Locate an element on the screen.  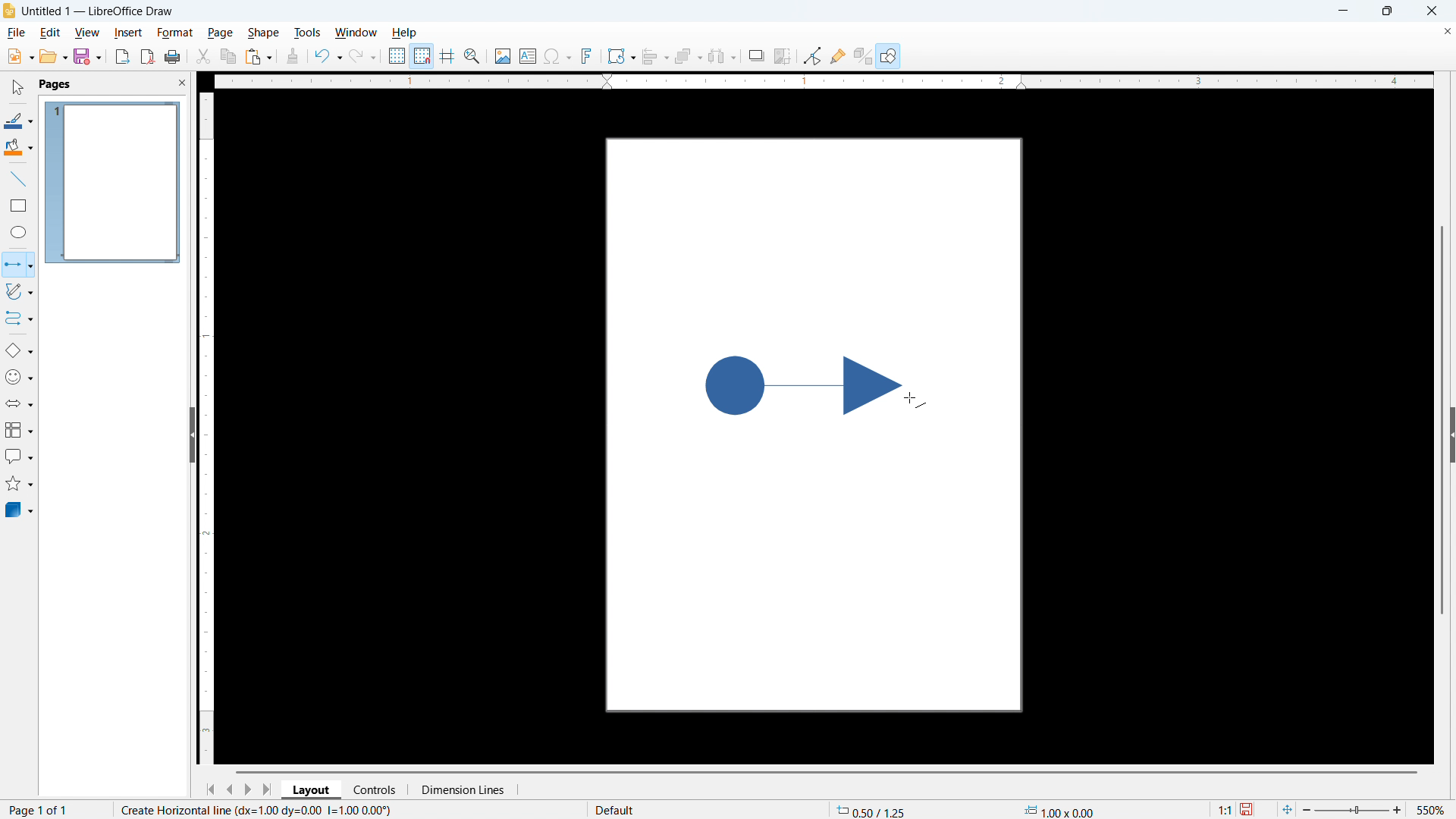
Curves and polygons  is located at coordinates (19, 292).